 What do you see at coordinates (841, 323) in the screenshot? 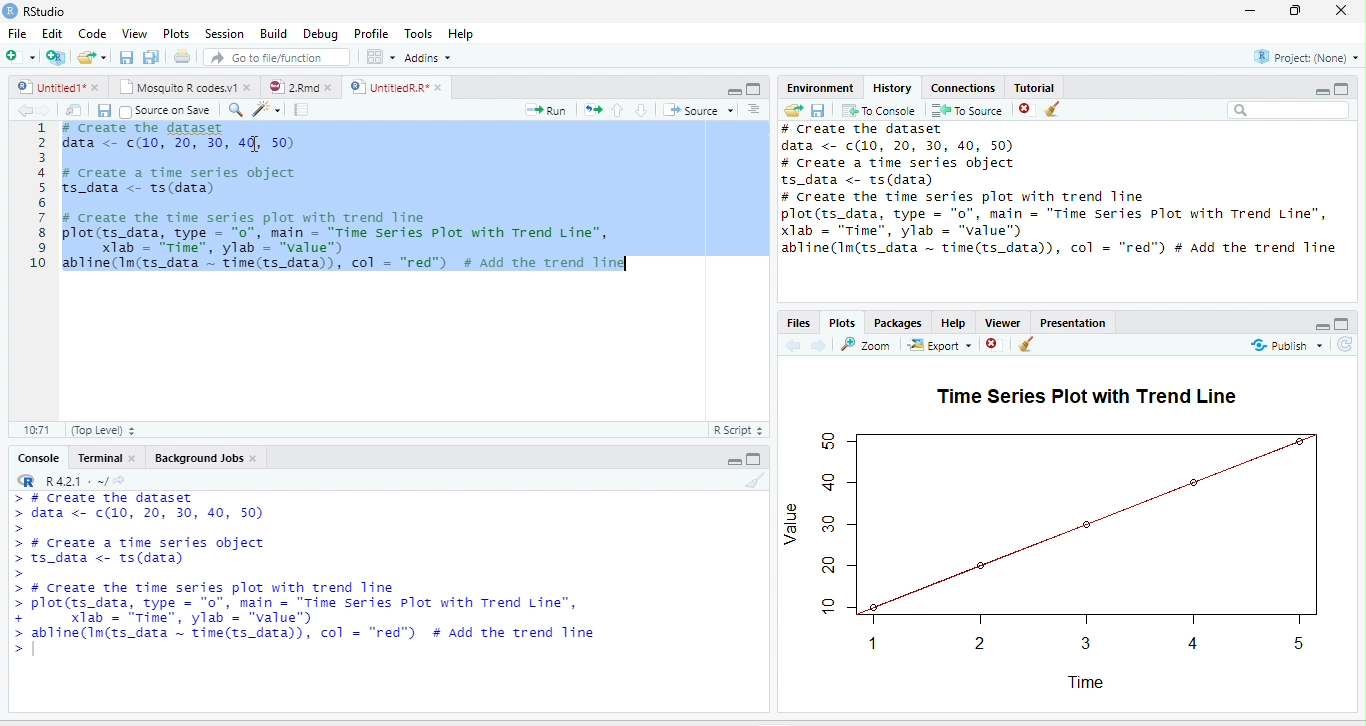
I see `Plots` at bounding box center [841, 323].